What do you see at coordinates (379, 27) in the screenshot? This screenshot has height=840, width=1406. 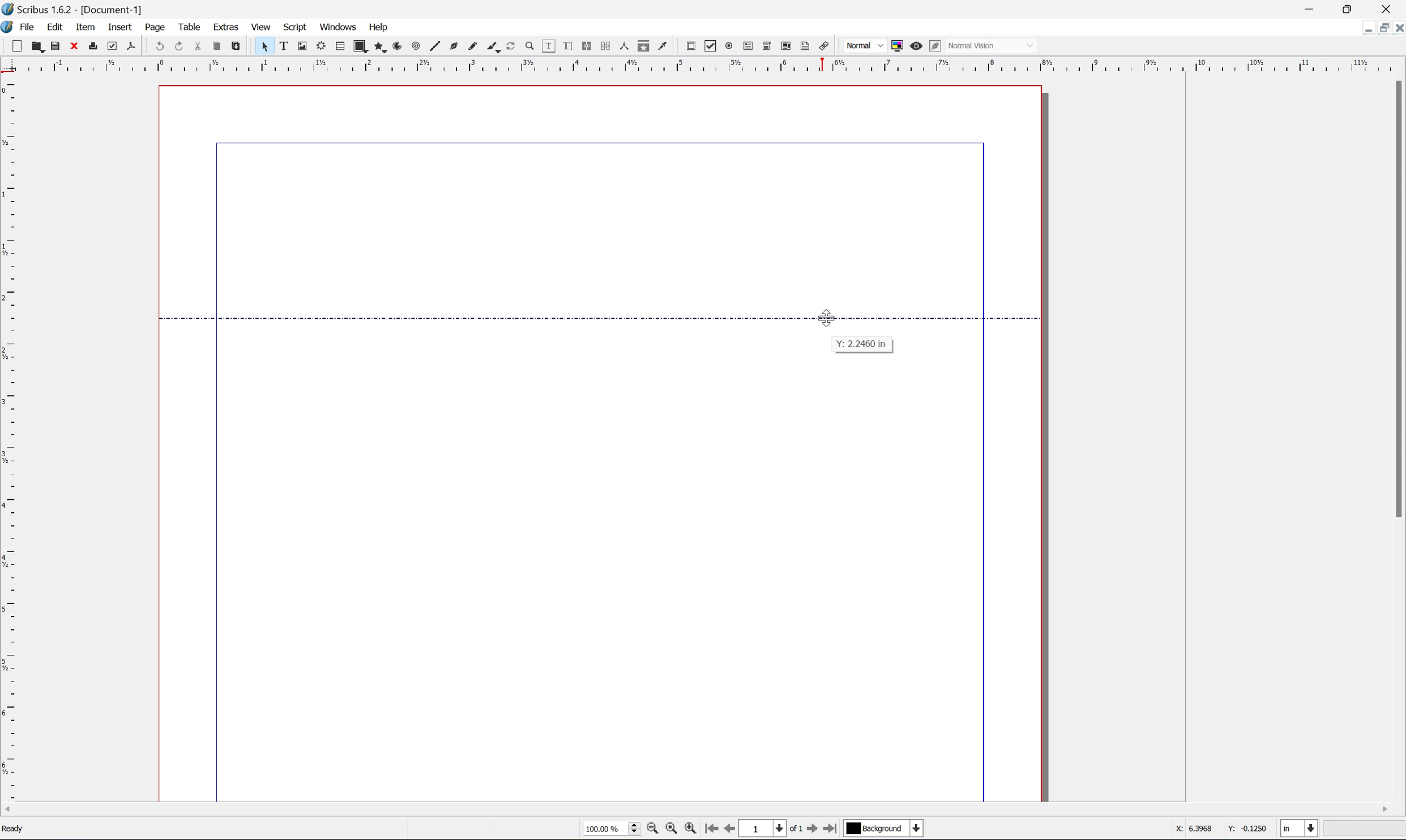 I see `help` at bounding box center [379, 27].